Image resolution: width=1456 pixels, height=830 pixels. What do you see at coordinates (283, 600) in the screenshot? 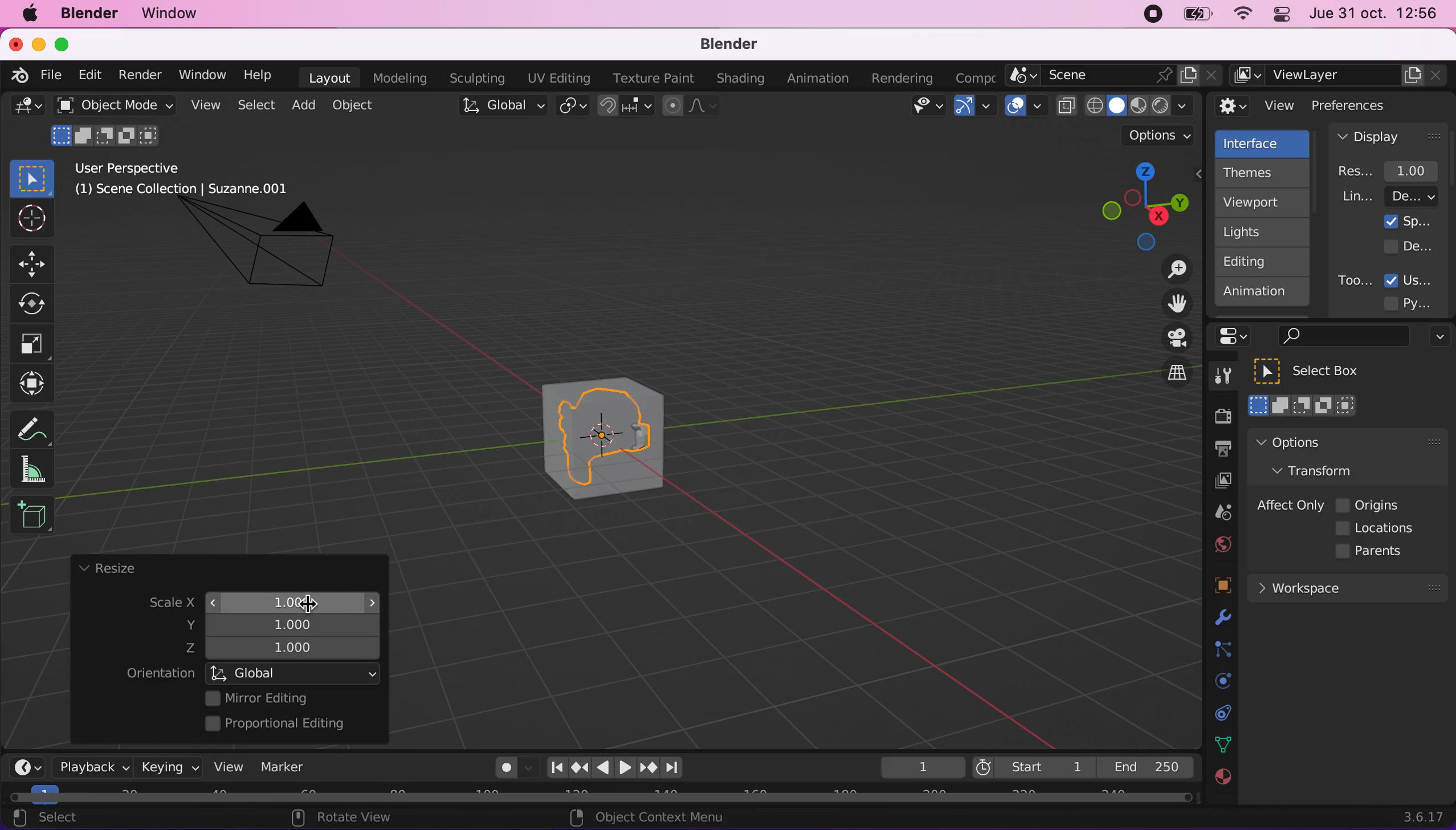
I see `x` at bounding box center [283, 600].